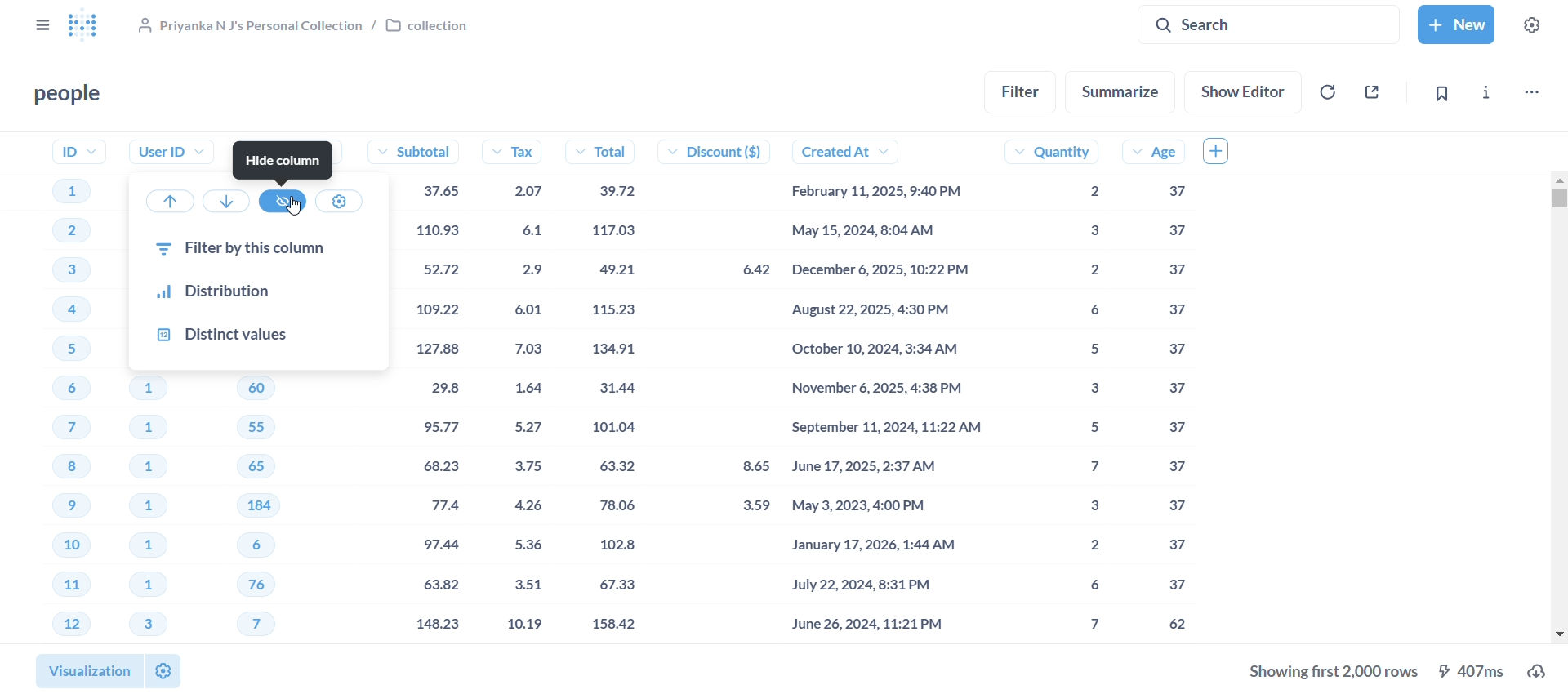 The image size is (1568, 694). Describe the element at coordinates (438, 388) in the screenshot. I see `subtotal` at that location.